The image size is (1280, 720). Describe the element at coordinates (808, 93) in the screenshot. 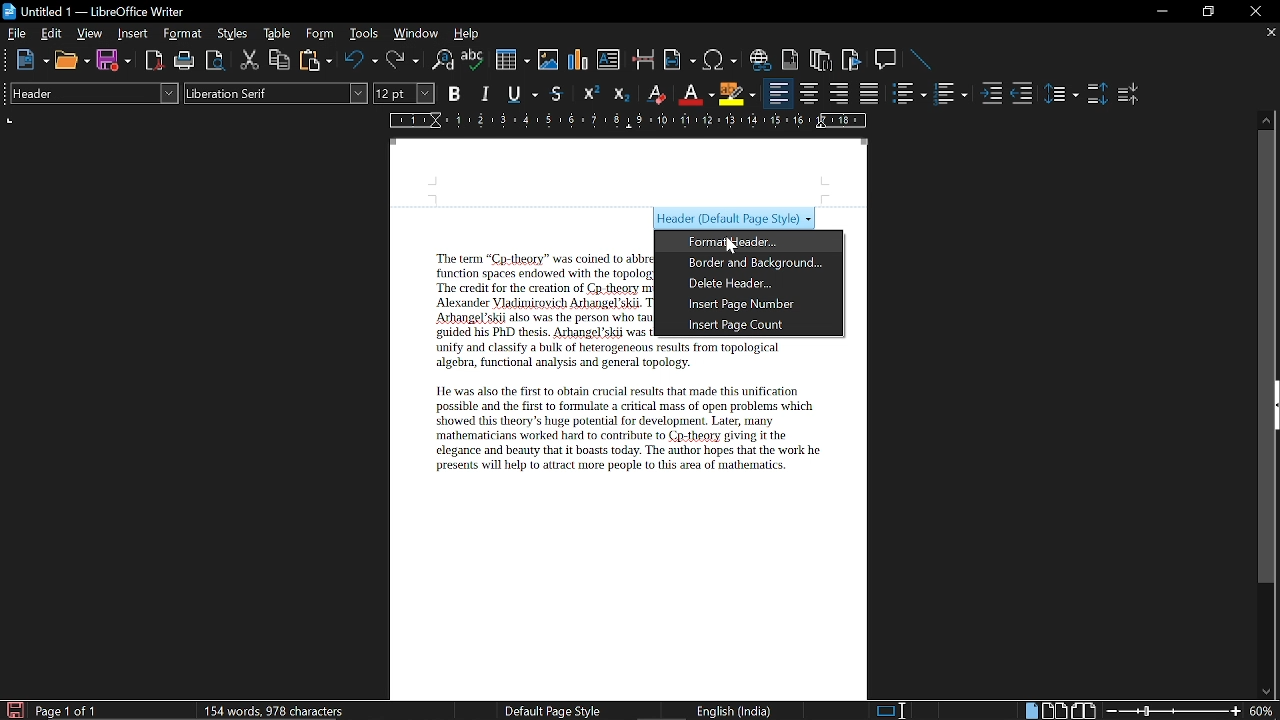

I see `Center` at that location.